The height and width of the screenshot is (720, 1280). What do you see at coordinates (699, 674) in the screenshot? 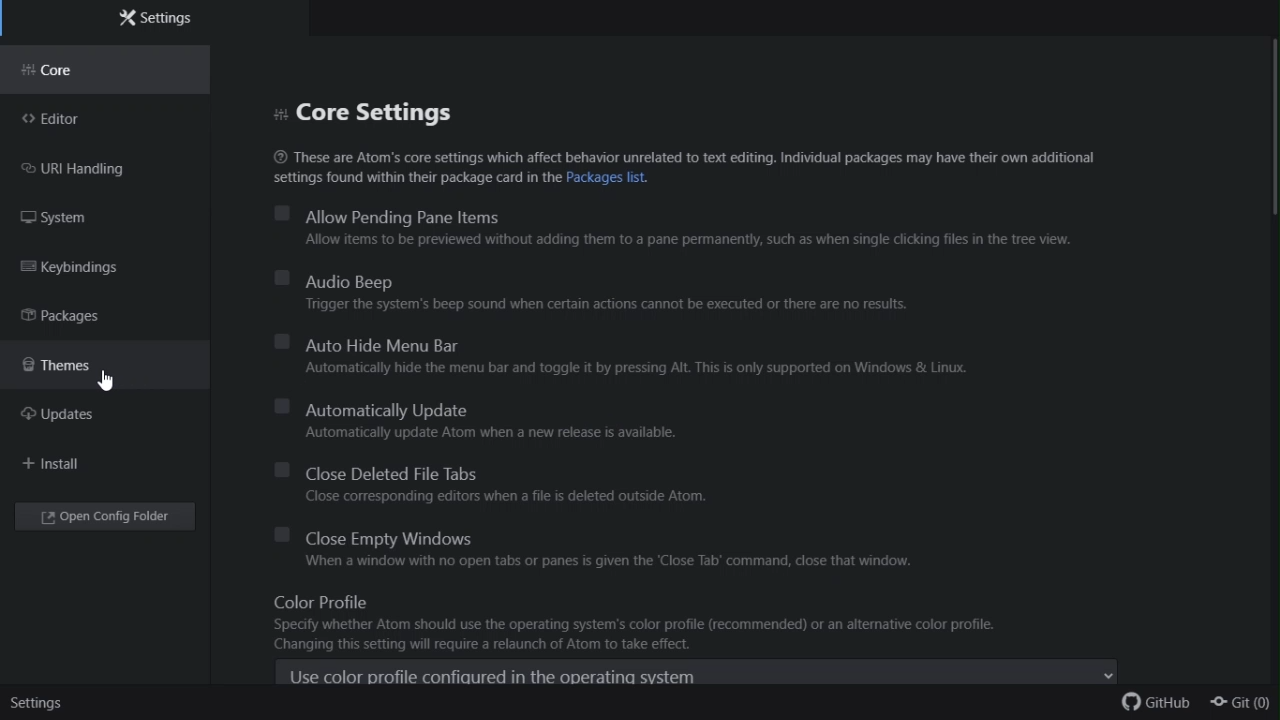
I see `Use color profile confiaured in the operatina svstem` at bounding box center [699, 674].